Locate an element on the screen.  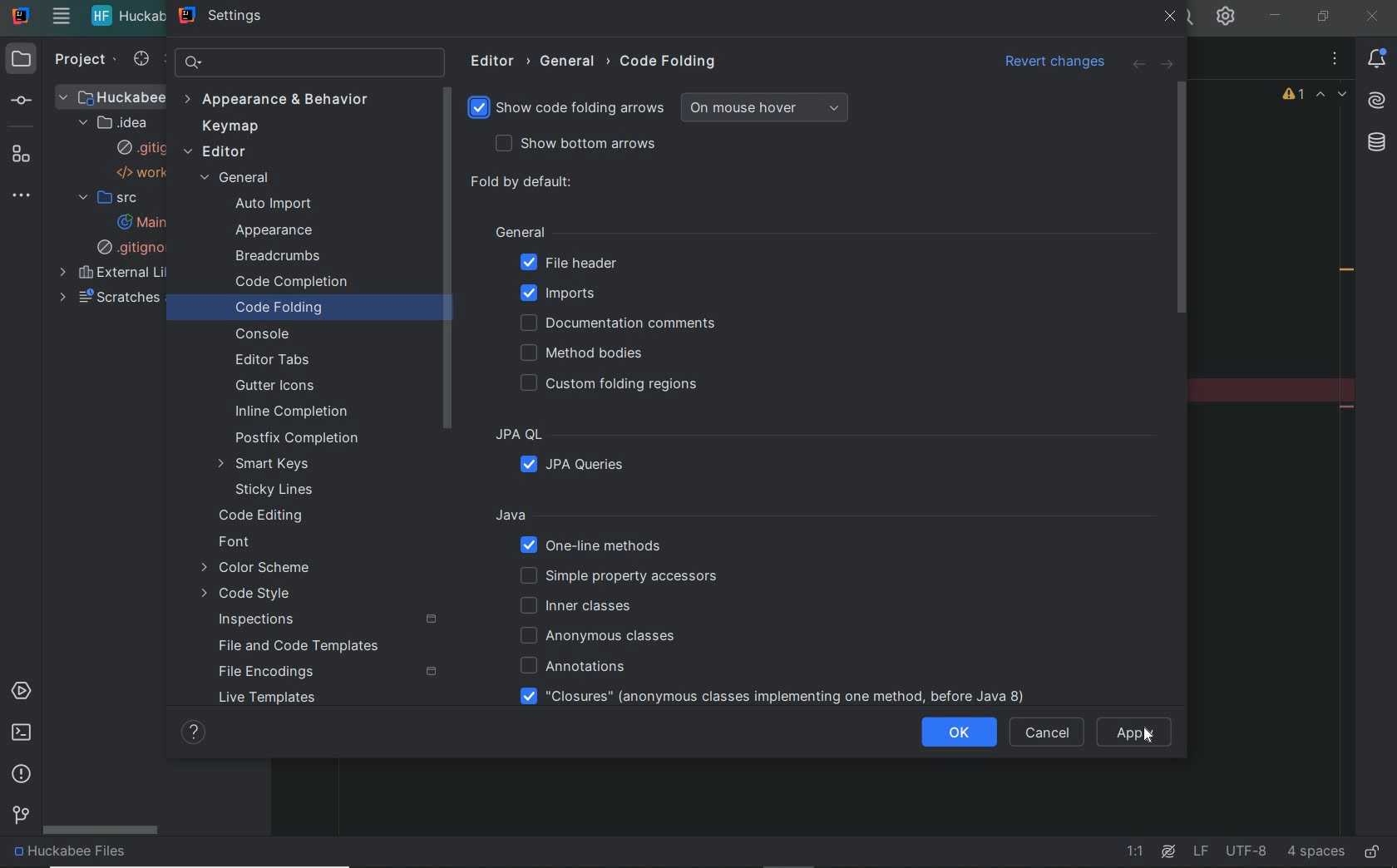
anonymous classes is located at coordinates (594, 635).